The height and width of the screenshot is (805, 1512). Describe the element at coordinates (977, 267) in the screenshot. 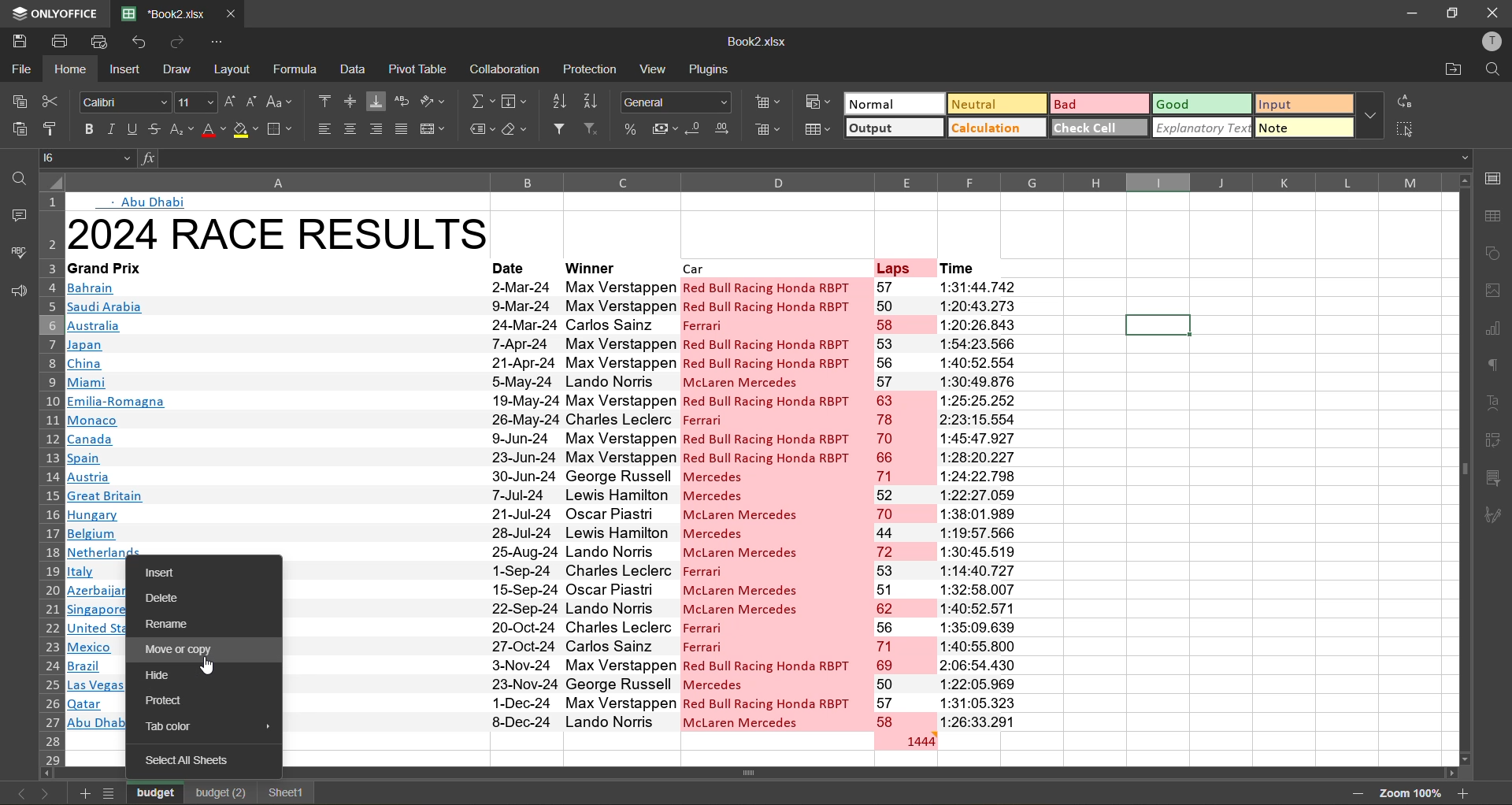

I see `time` at that location.